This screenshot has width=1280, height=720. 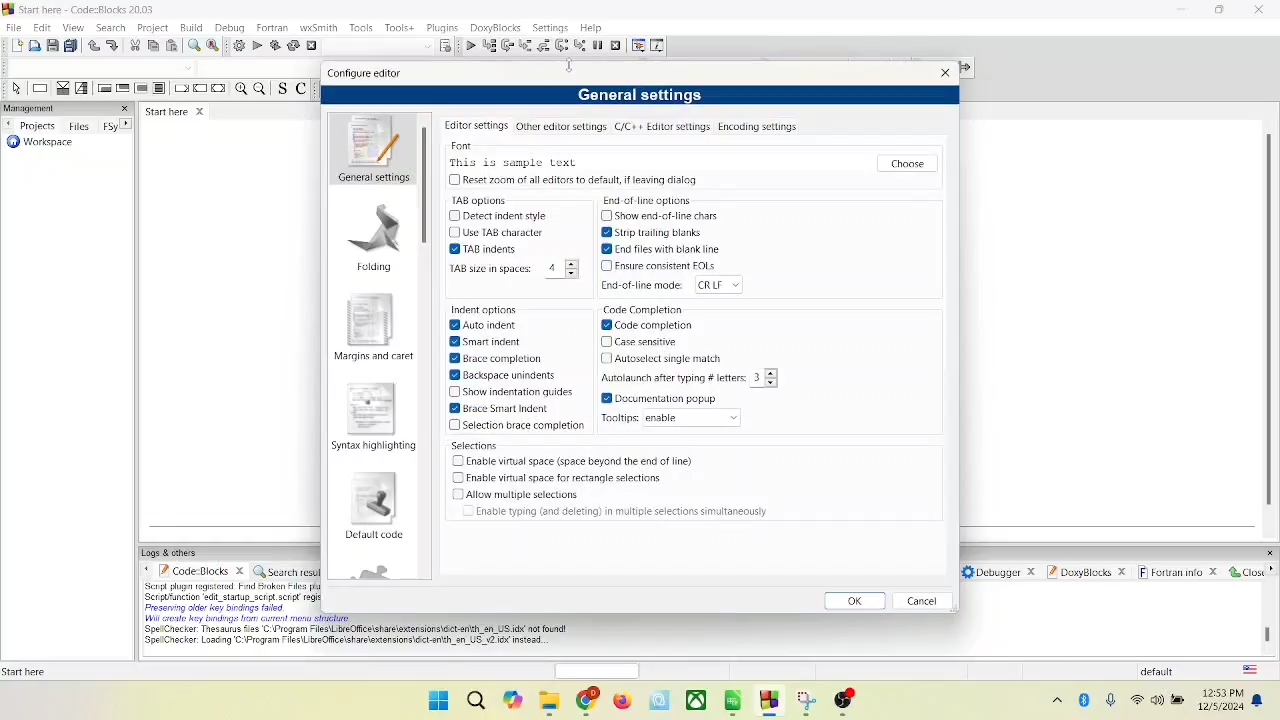 I want to click on end of line options, so click(x=644, y=203).